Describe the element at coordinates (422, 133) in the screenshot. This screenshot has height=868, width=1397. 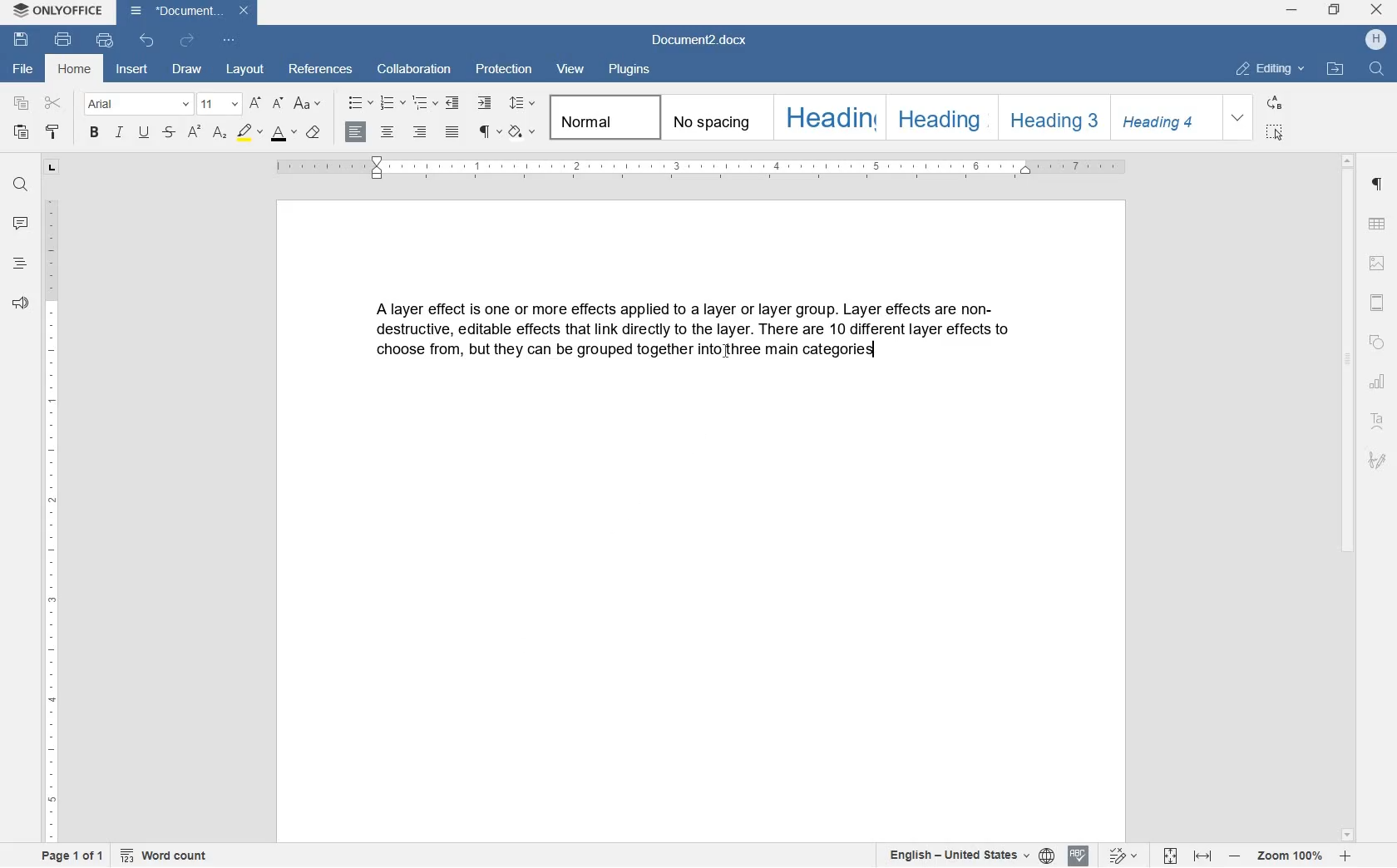
I see `align right` at that location.